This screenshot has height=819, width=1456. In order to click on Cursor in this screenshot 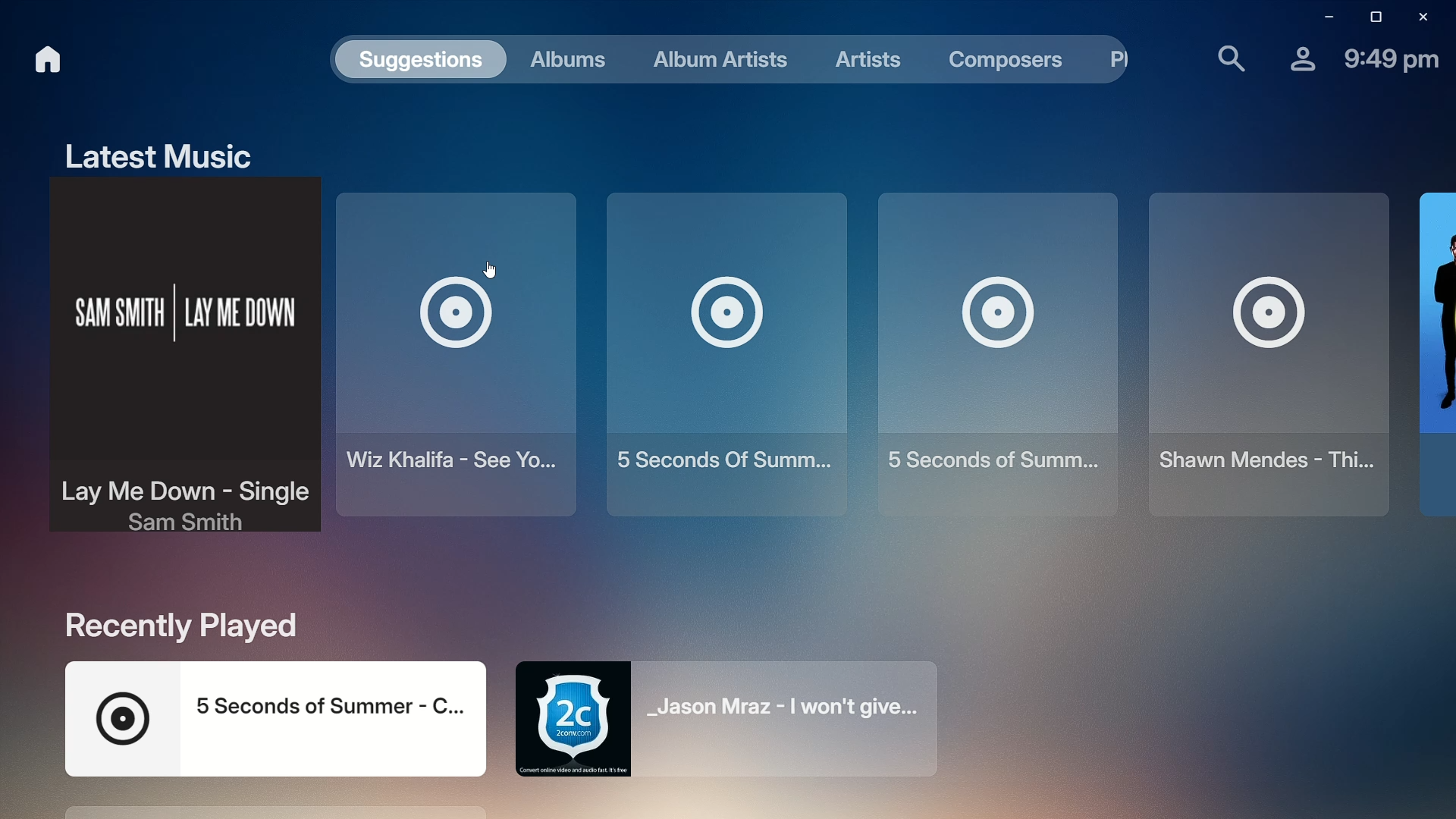, I will do `click(496, 273)`.